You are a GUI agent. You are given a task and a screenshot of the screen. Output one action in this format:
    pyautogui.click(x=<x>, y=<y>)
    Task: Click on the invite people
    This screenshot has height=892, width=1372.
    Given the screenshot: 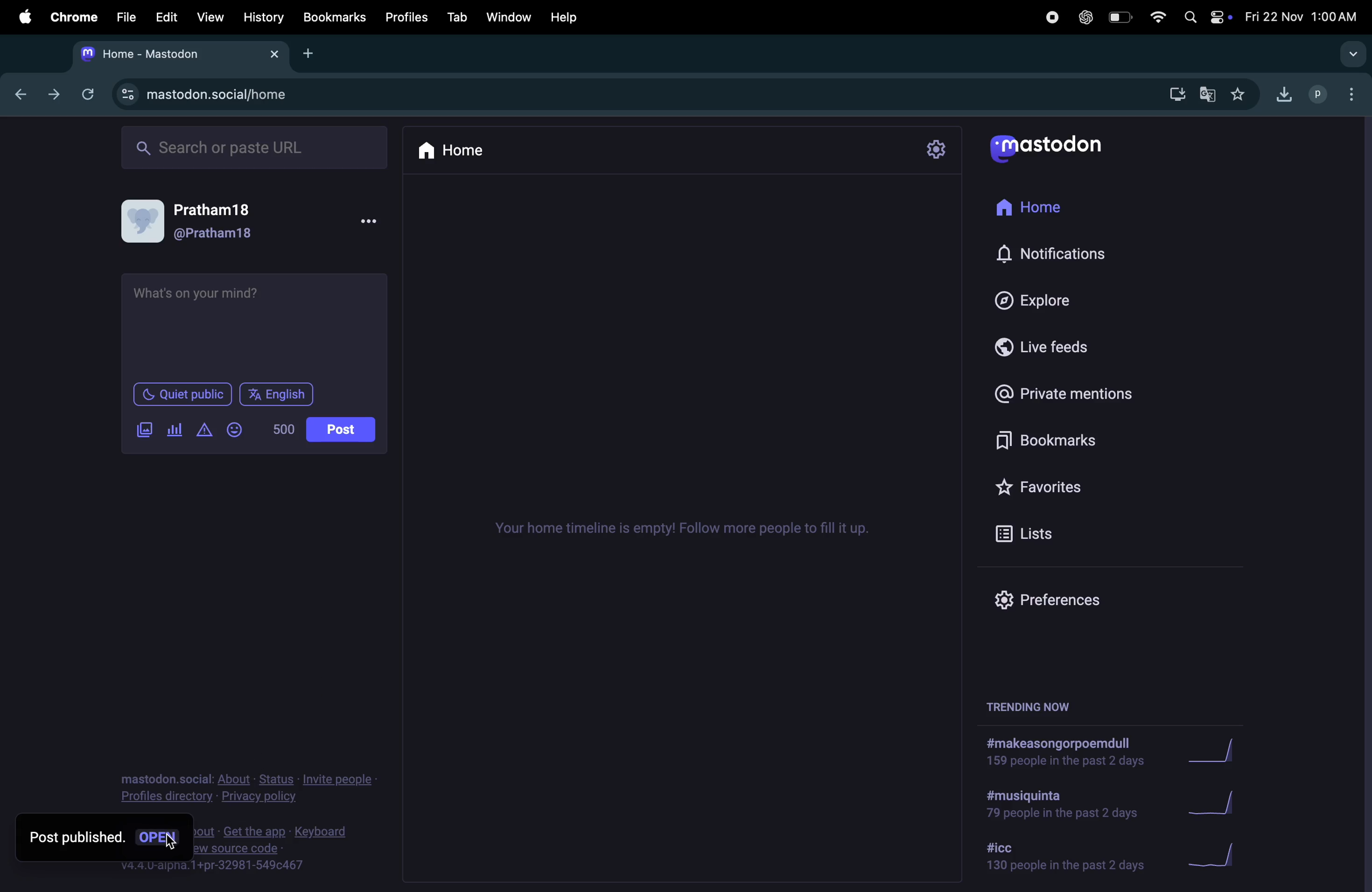 What is the action you would take?
    pyautogui.click(x=337, y=780)
    